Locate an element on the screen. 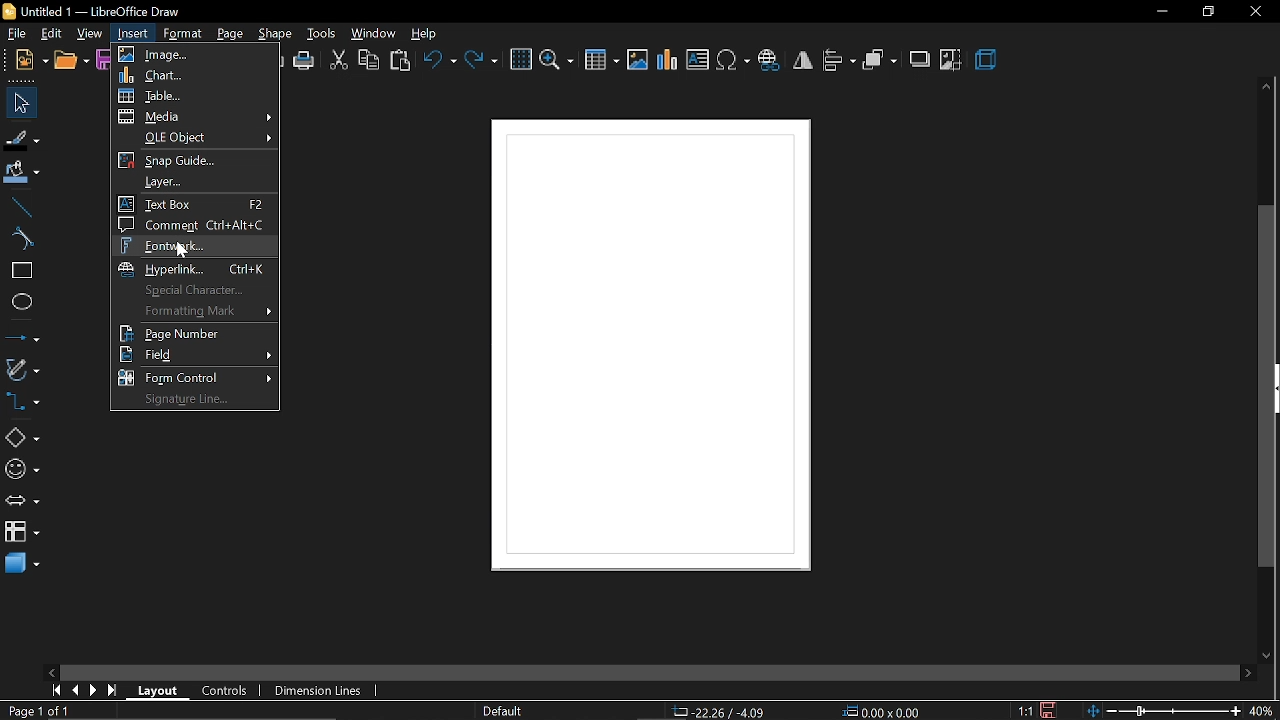  curves and polygons is located at coordinates (22, 368).